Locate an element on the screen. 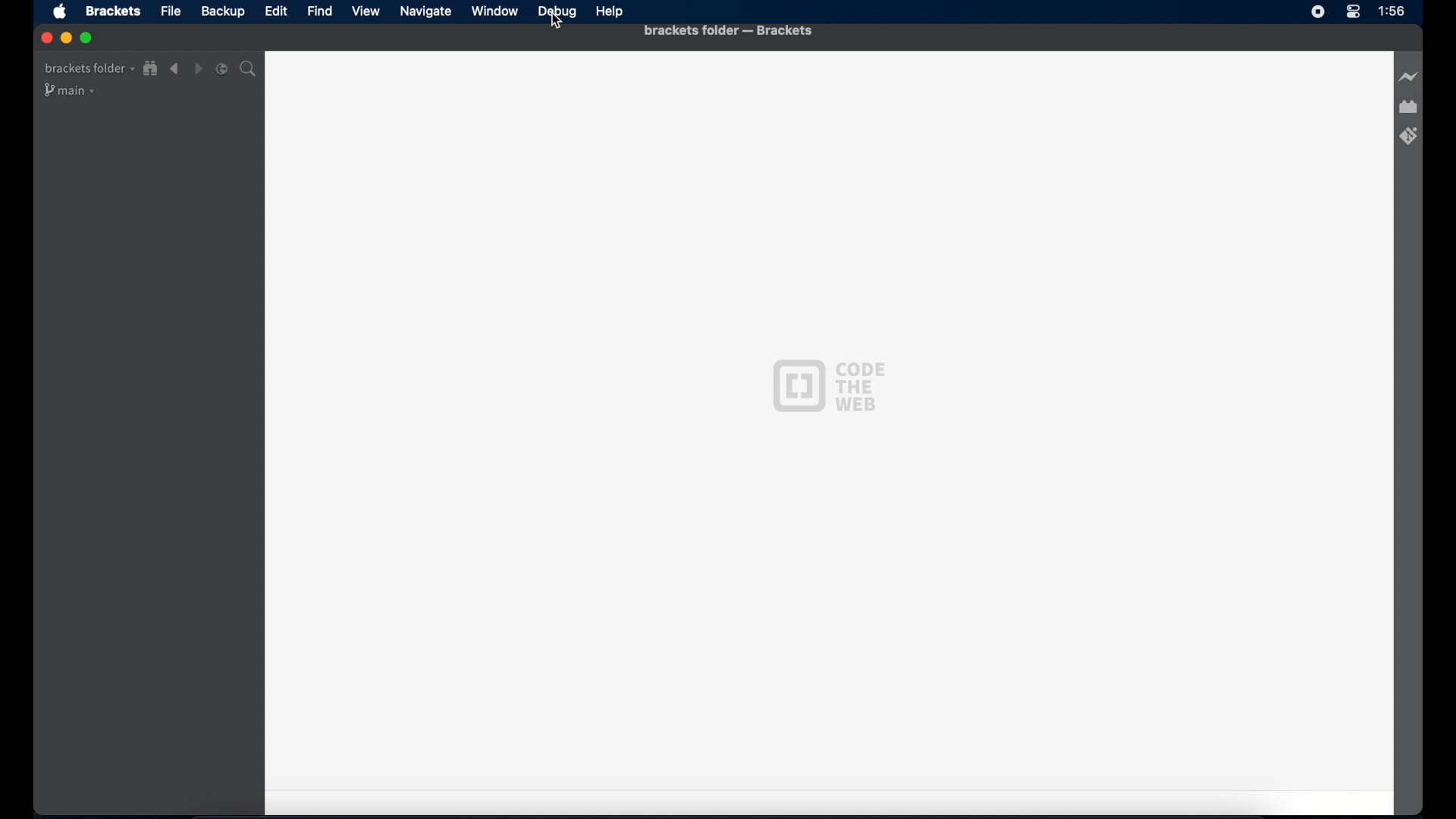 The image size is (1456, 819). debug is located at coordinates (557, 11).